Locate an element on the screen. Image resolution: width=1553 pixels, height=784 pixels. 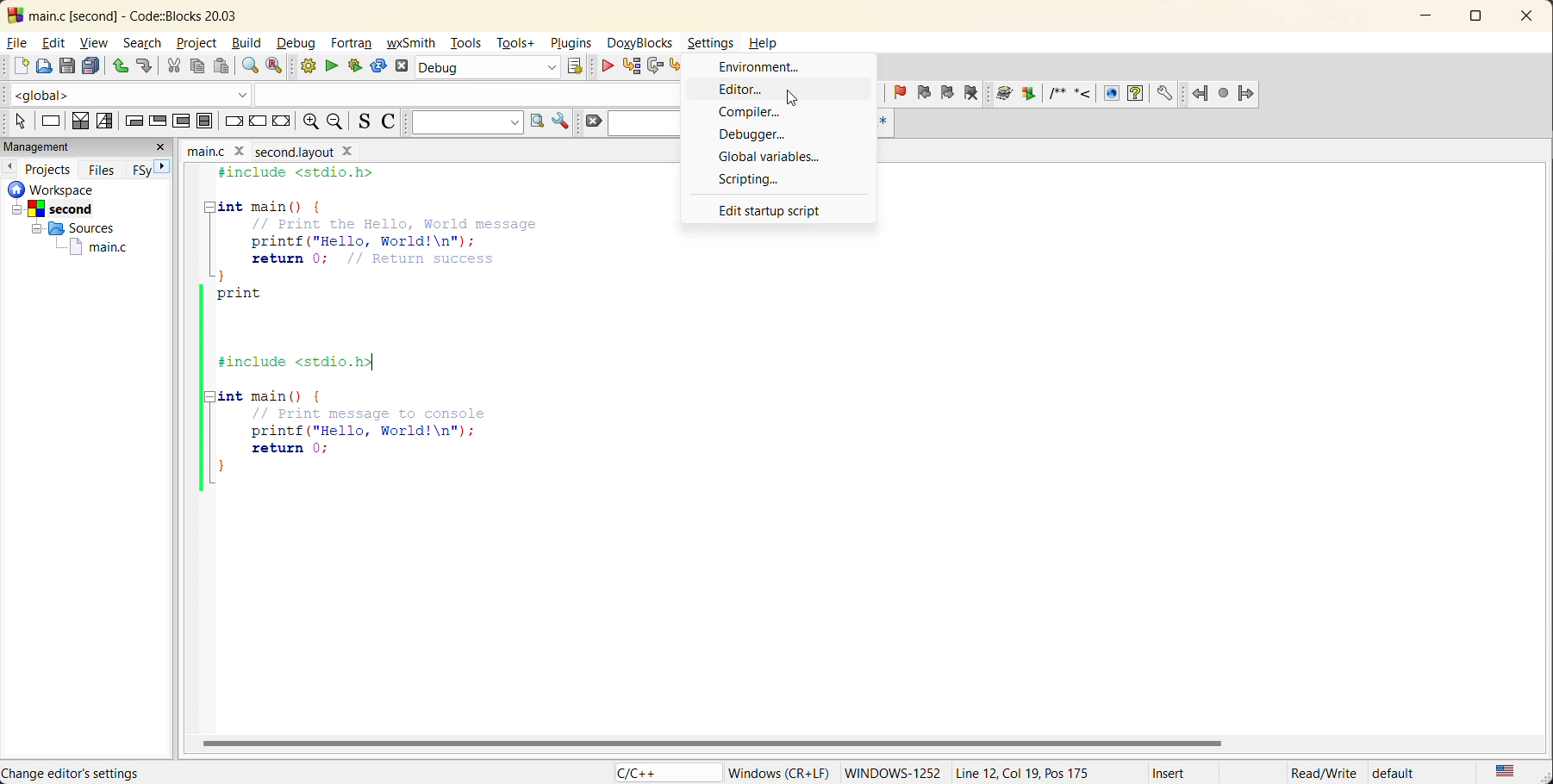
editor is located at coordinates (746, 90).